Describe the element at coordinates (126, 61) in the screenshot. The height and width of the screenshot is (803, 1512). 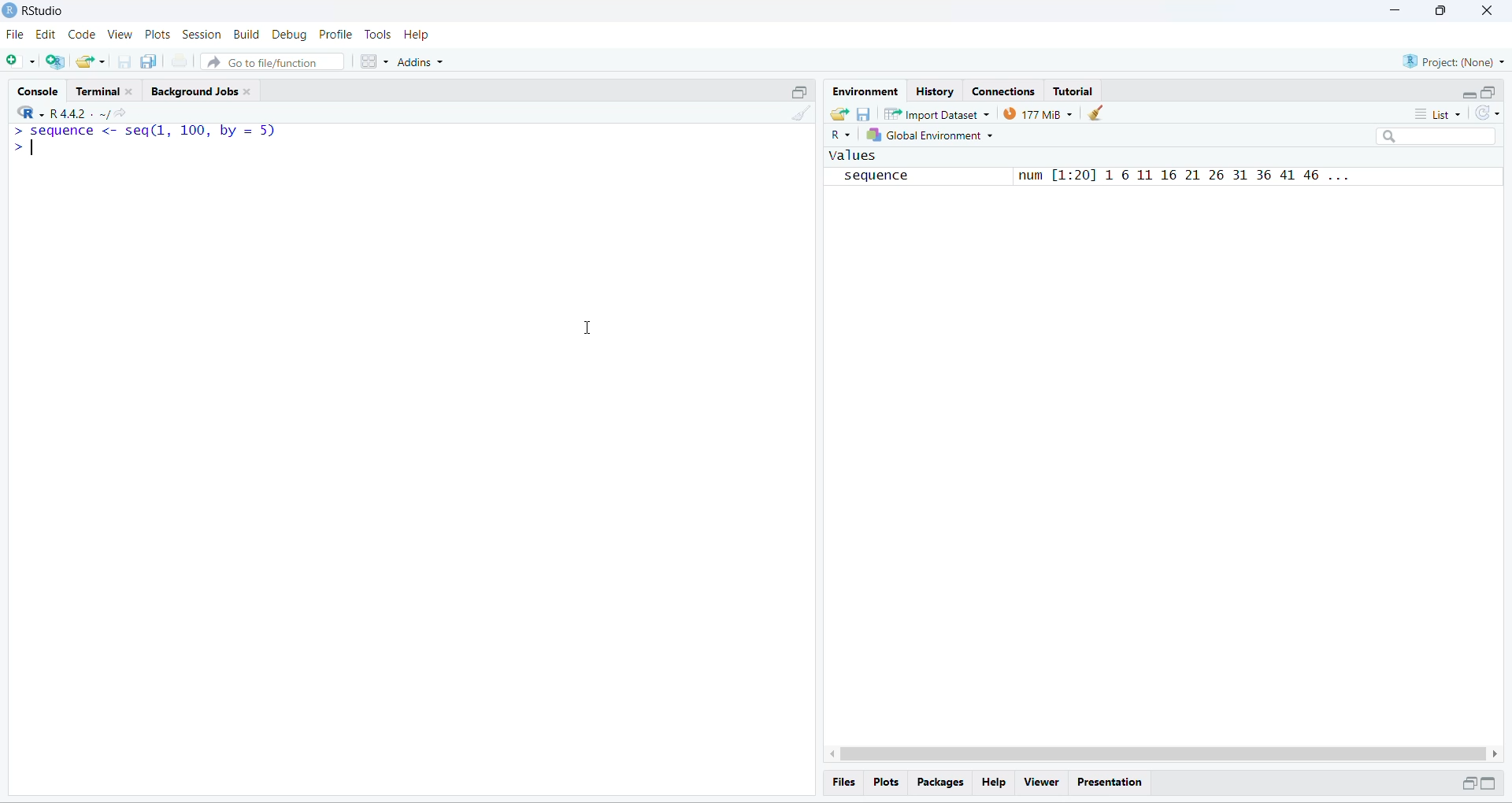
I see `save` at that location.